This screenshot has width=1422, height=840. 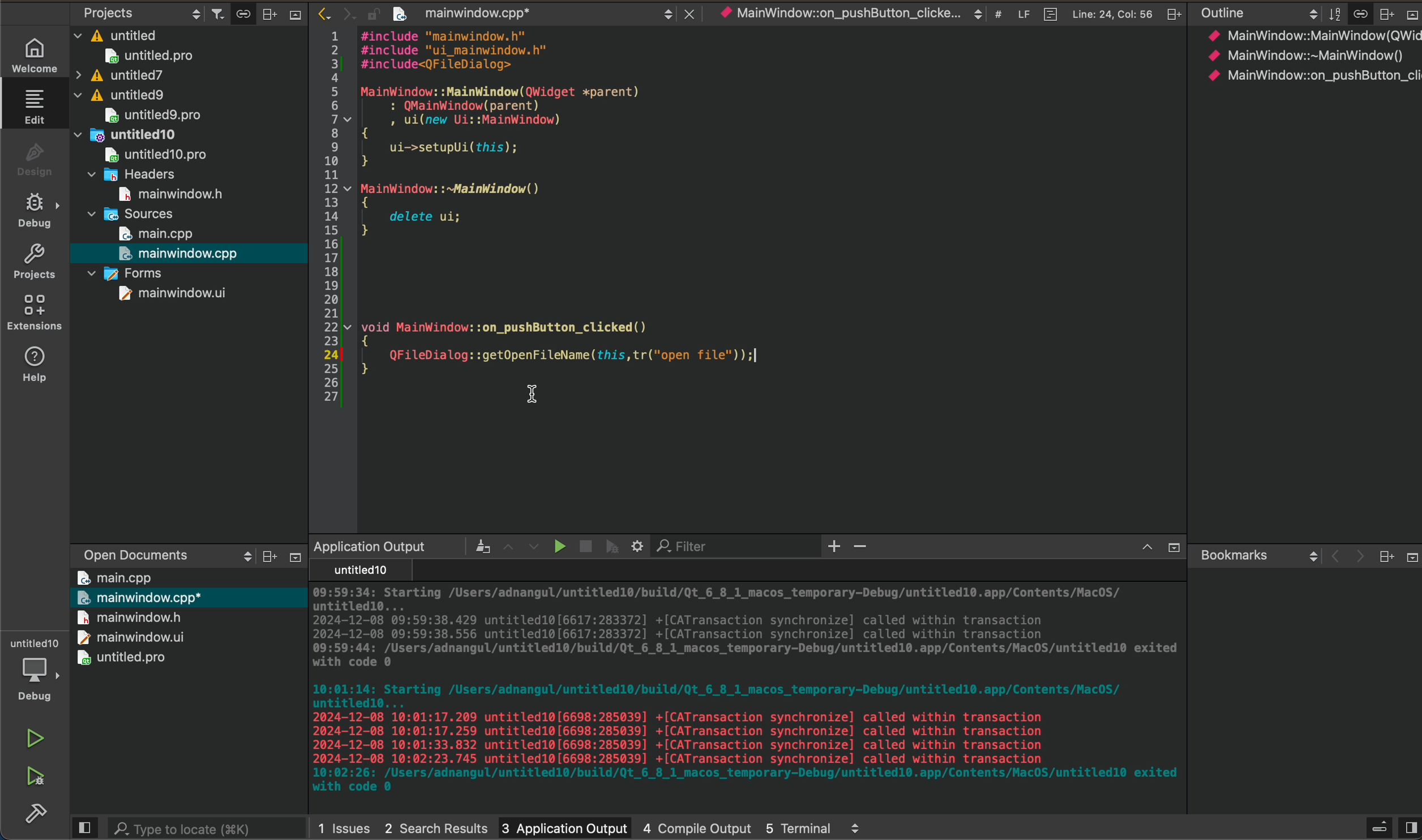 I want to click on untitled9, so click(x=123, y=95).